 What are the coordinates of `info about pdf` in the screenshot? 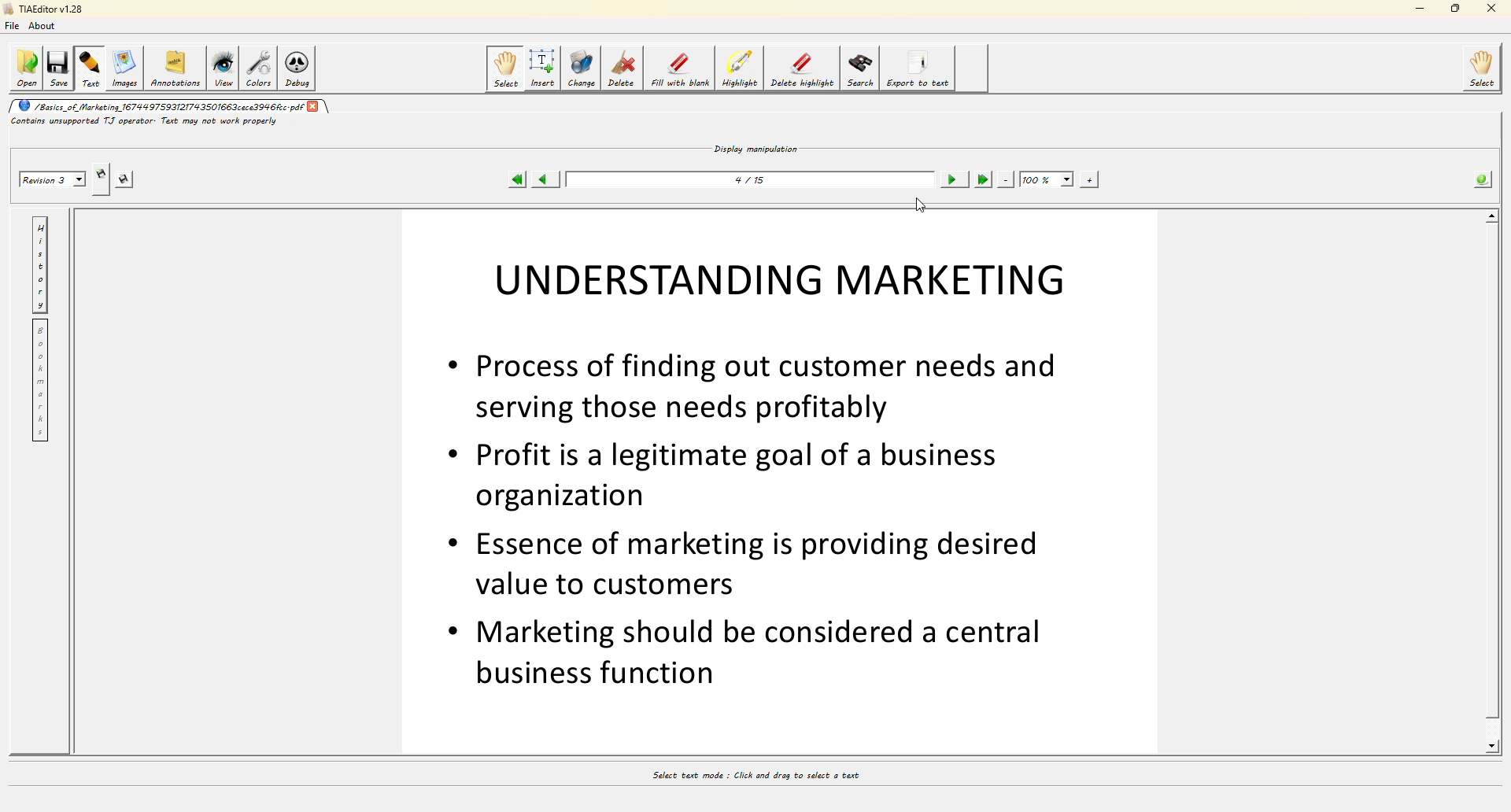 It's located at (1481, 179).